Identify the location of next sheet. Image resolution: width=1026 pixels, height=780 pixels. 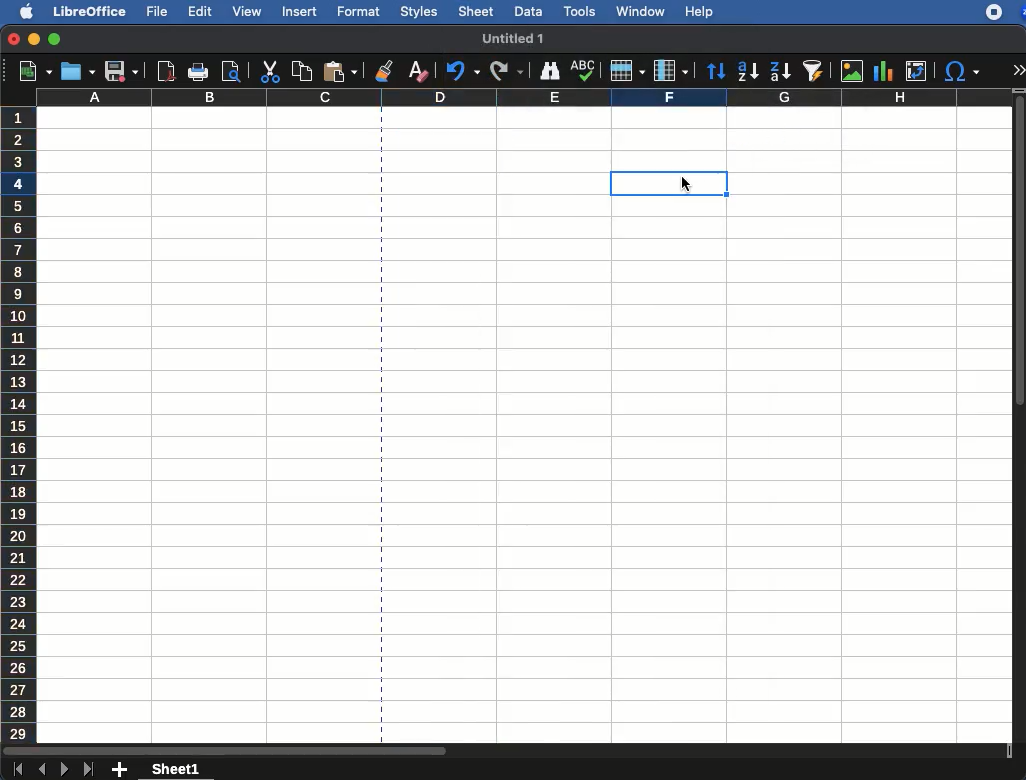
(63, 771).